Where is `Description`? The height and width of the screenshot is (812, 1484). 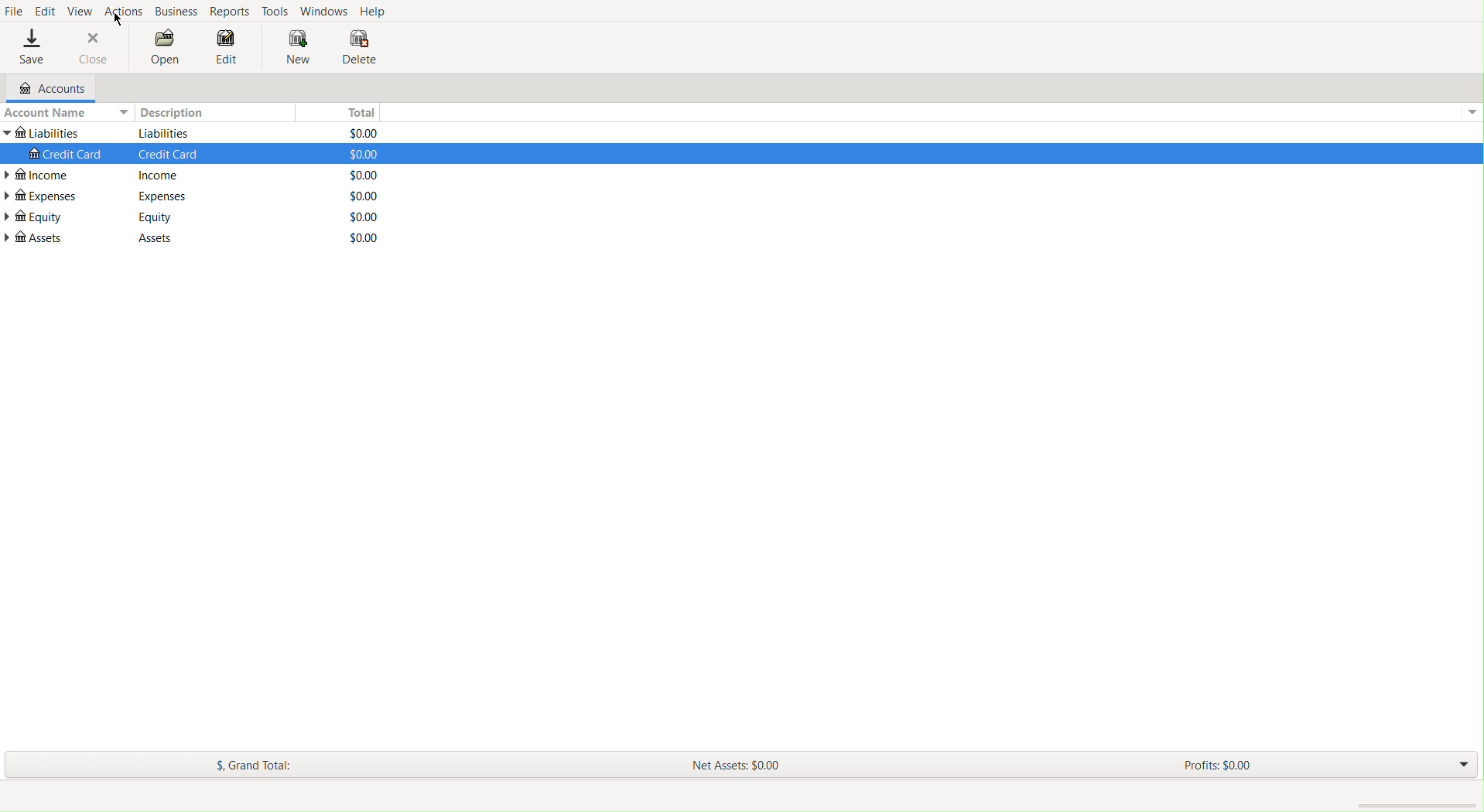
Description is located at coordinates (170, 153).